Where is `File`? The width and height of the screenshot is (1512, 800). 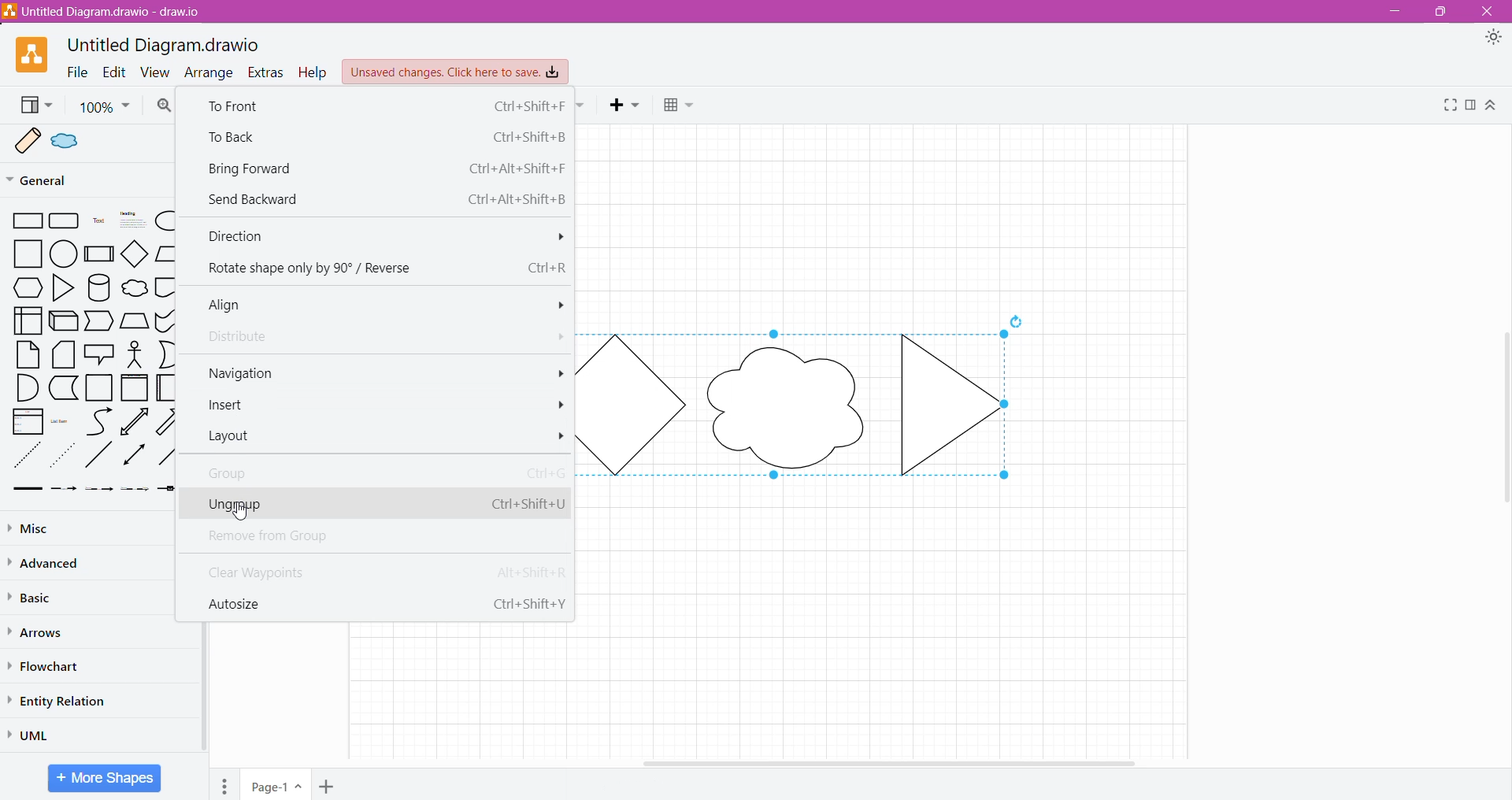 File is located at coordinates (76, 72).